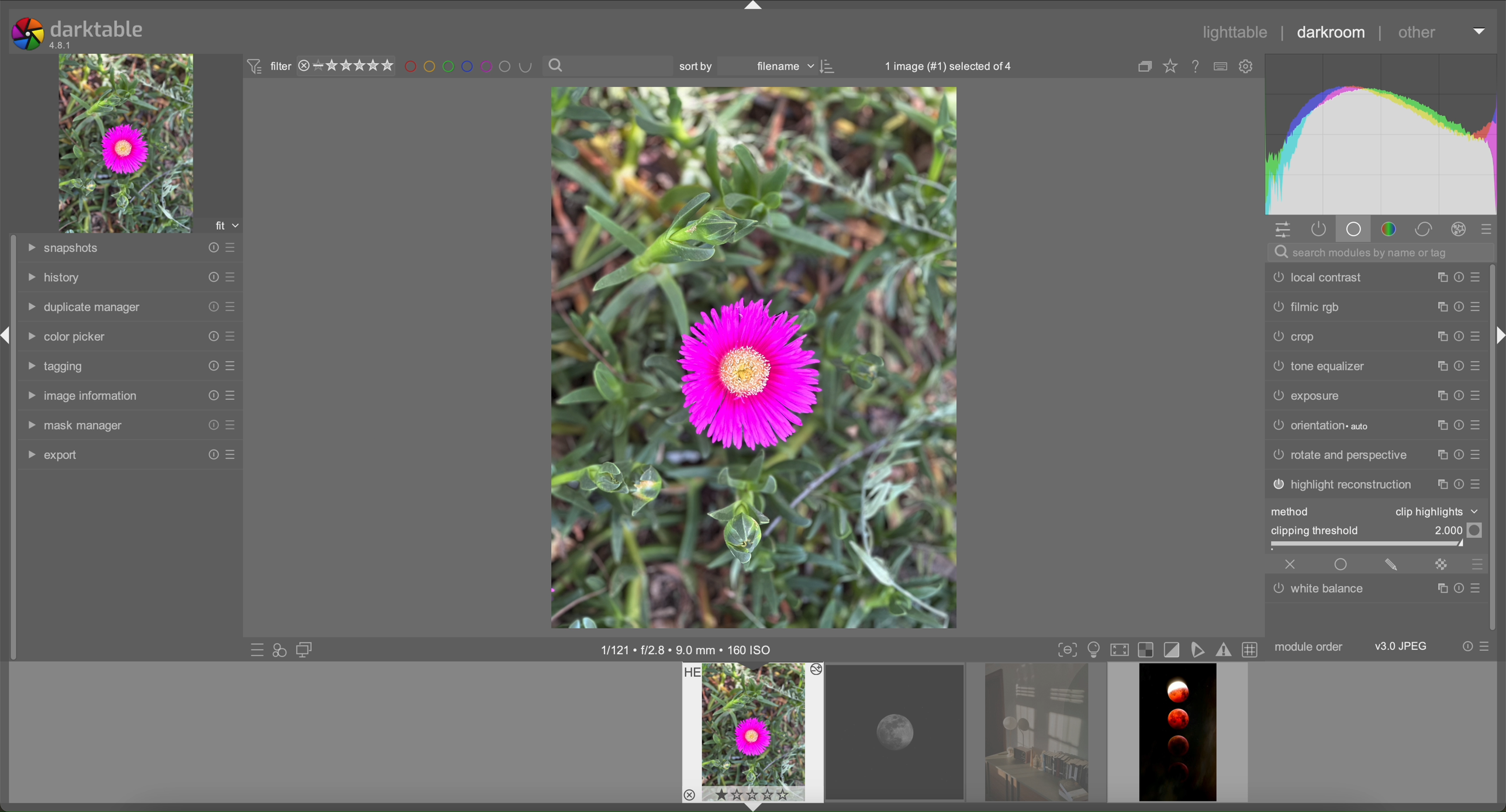  Describe the element at coordinates (754, 7) in the screenshot. I see `arrow` at that location.